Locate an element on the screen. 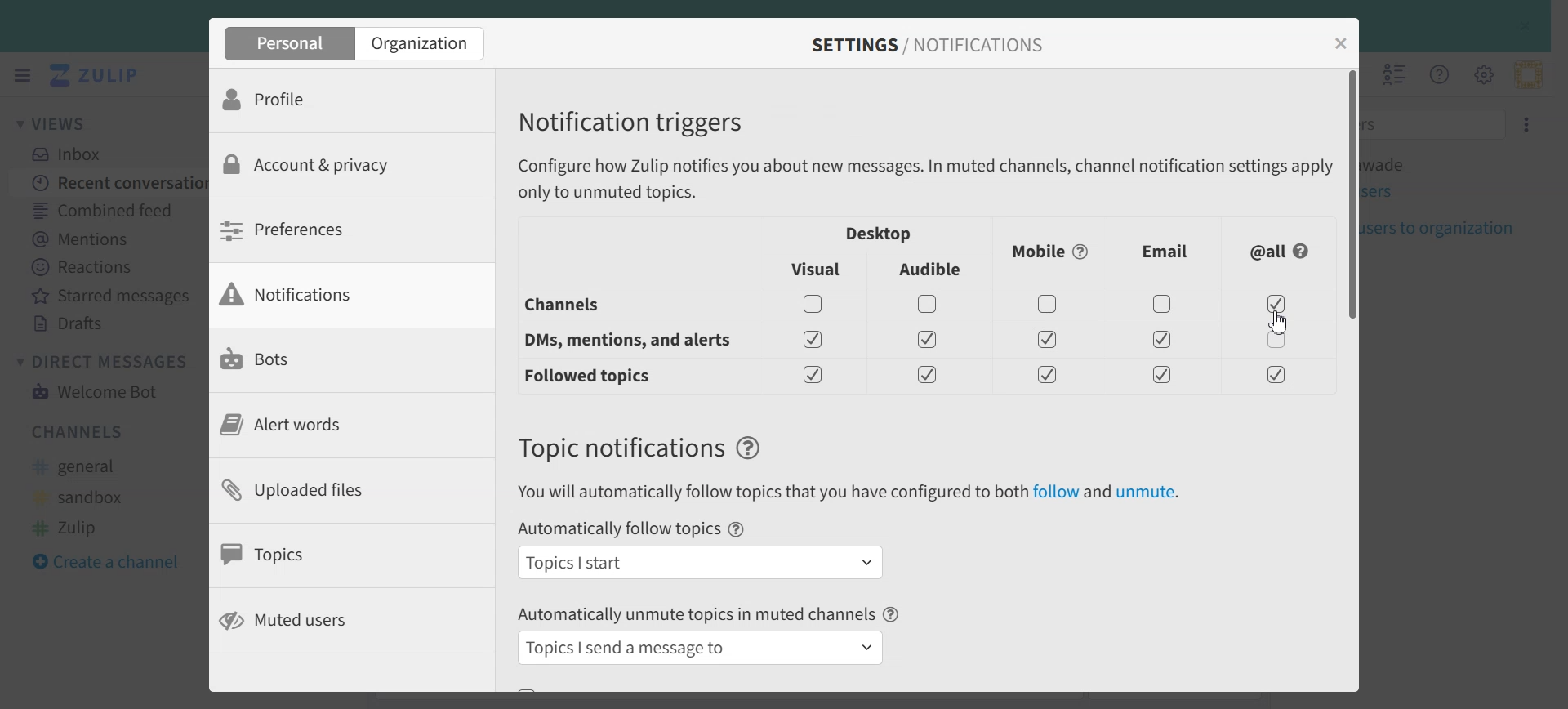 The height and width of the screenshot is (709, 1568). Personal is located at coordinates (287, 43).